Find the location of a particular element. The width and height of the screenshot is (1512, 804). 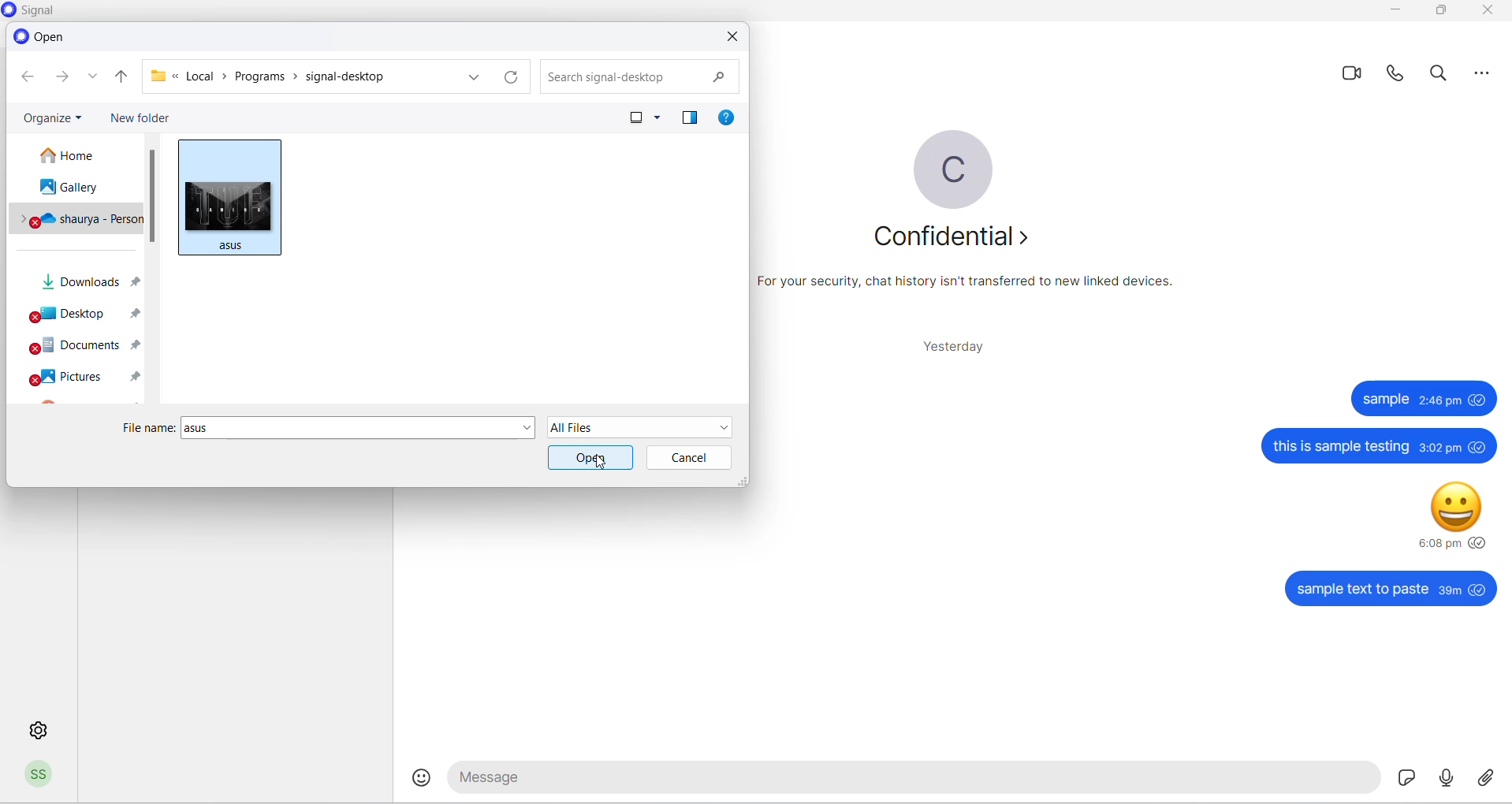

change your view is located at coordinates (625, 117).